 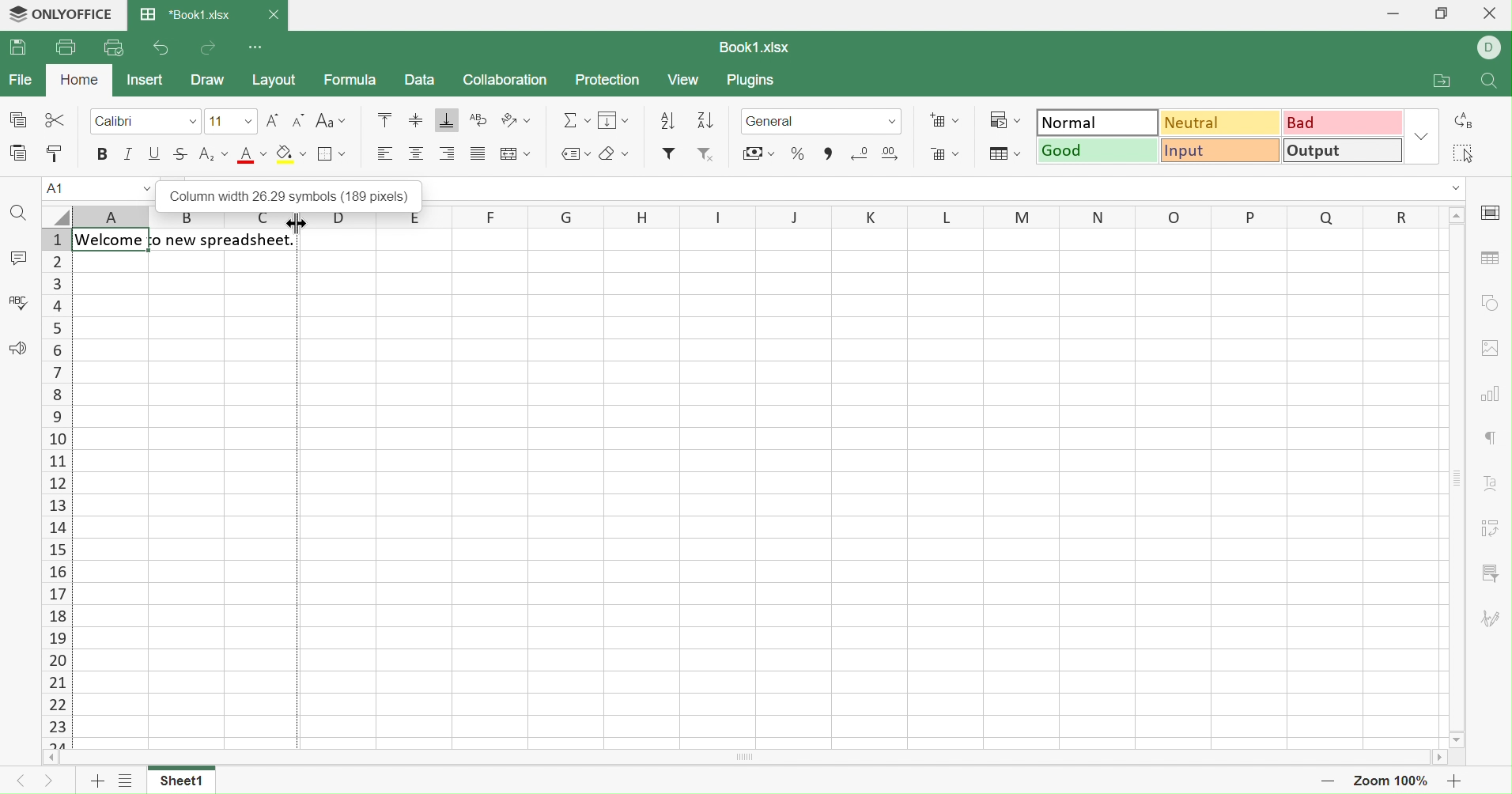 What do you see at coordinates (275, 13) in the screenshot?
I see `Close` at bounding box center [275, 13].